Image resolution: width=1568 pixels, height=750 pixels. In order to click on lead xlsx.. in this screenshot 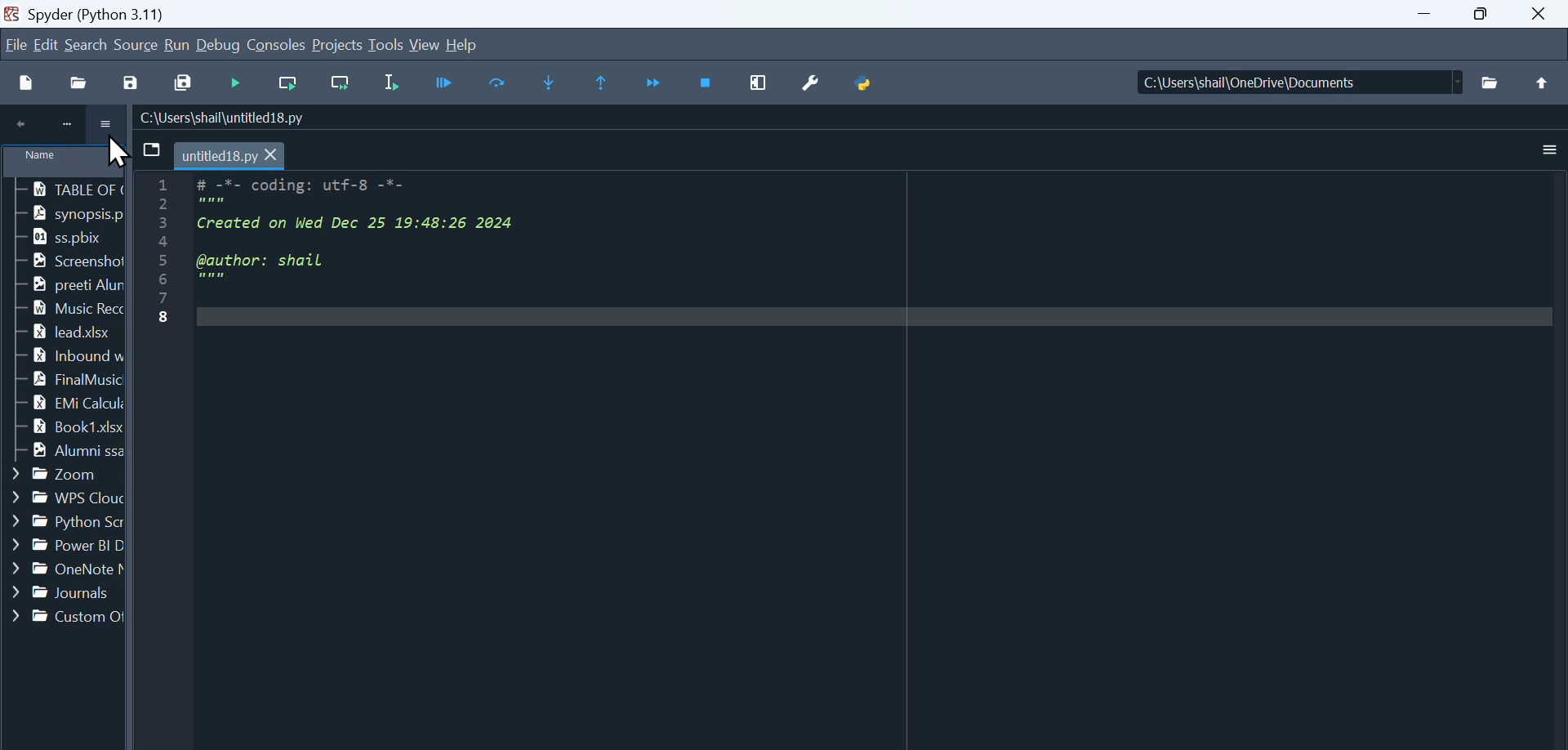, I will do `click(60, 333)`.